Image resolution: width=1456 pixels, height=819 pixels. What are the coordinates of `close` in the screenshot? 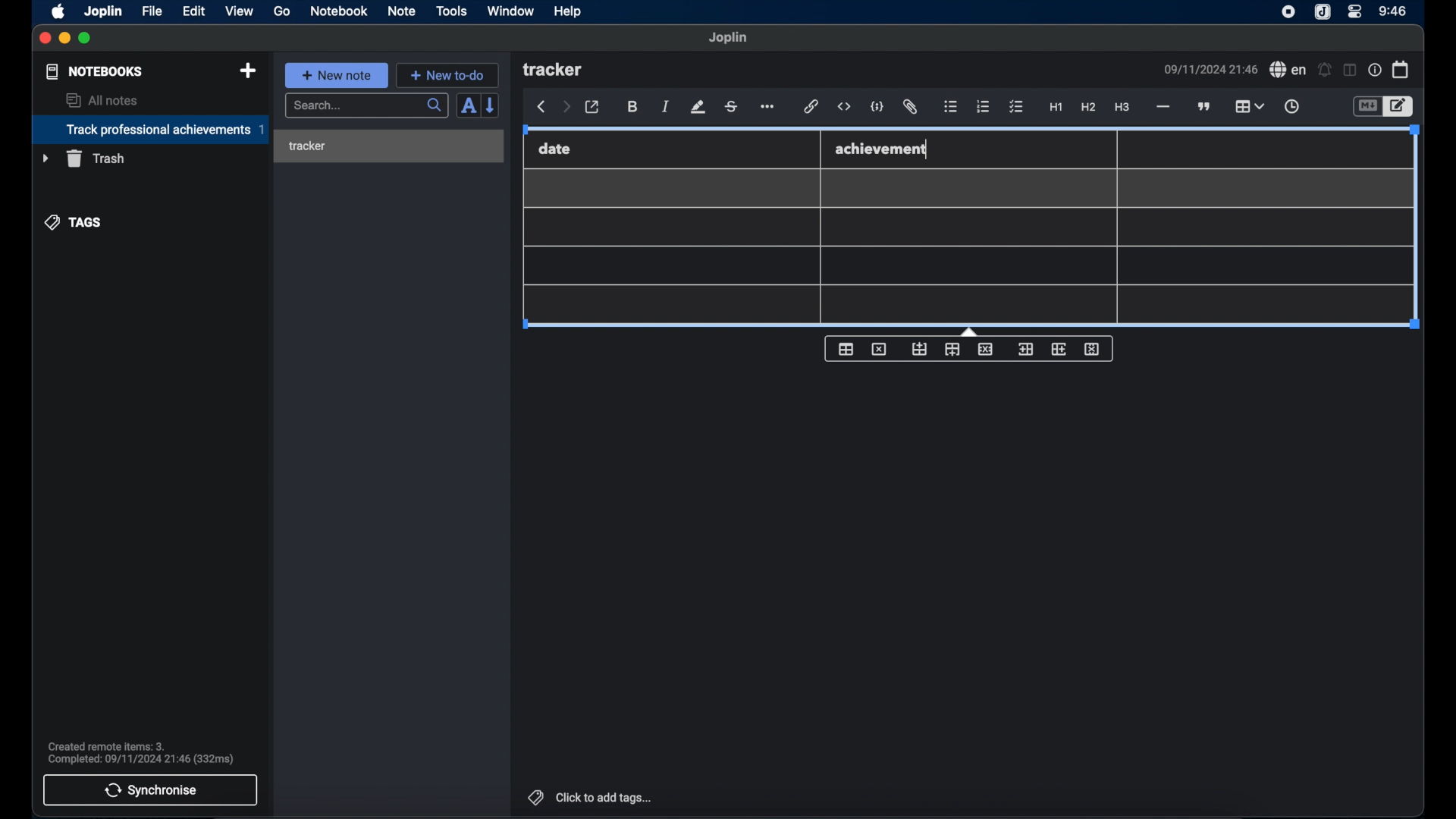 It's located at (45, 38).